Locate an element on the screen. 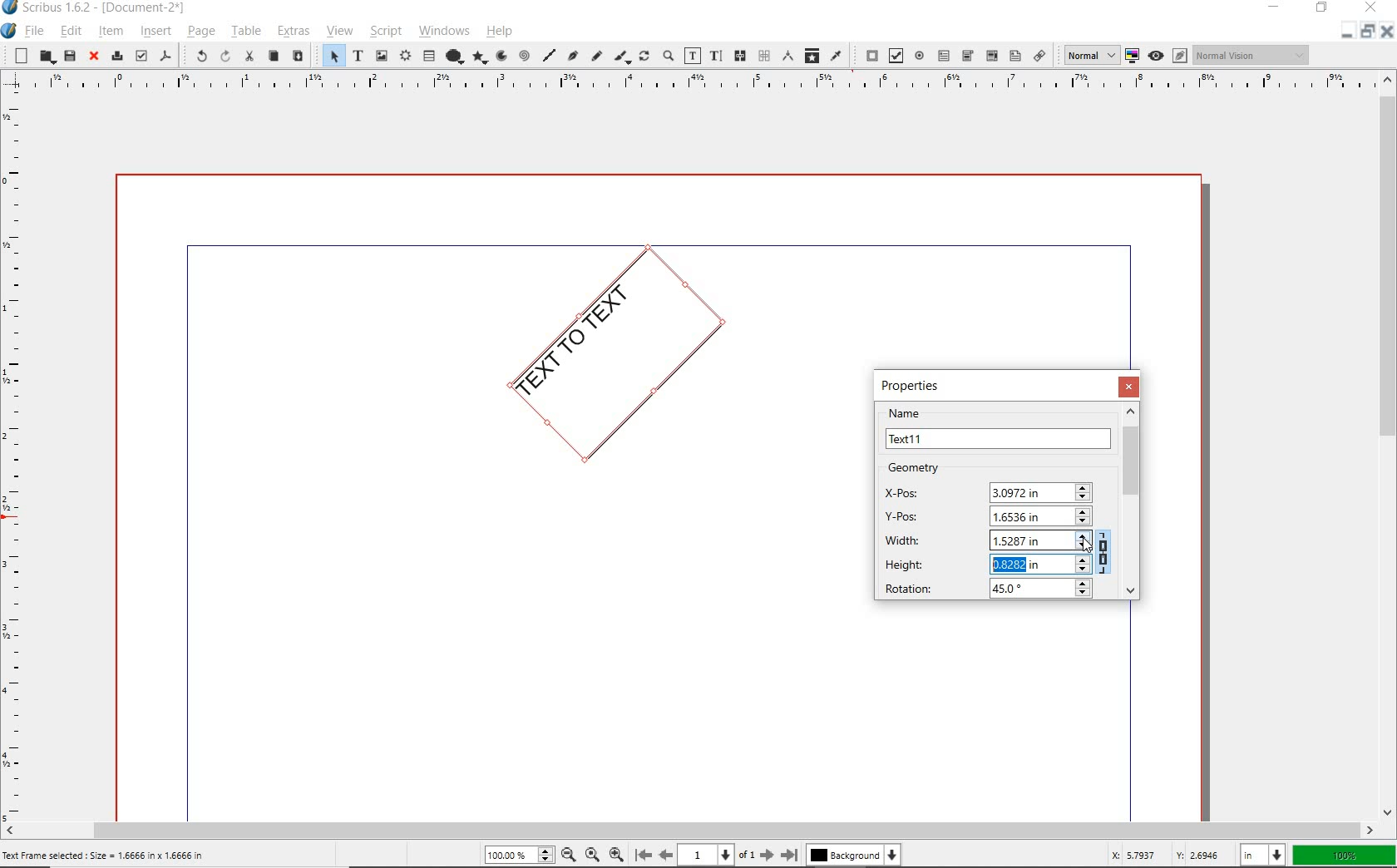 The width and height of the screenshot is (1397, 868). text frame is located at coordinates (358, 57).